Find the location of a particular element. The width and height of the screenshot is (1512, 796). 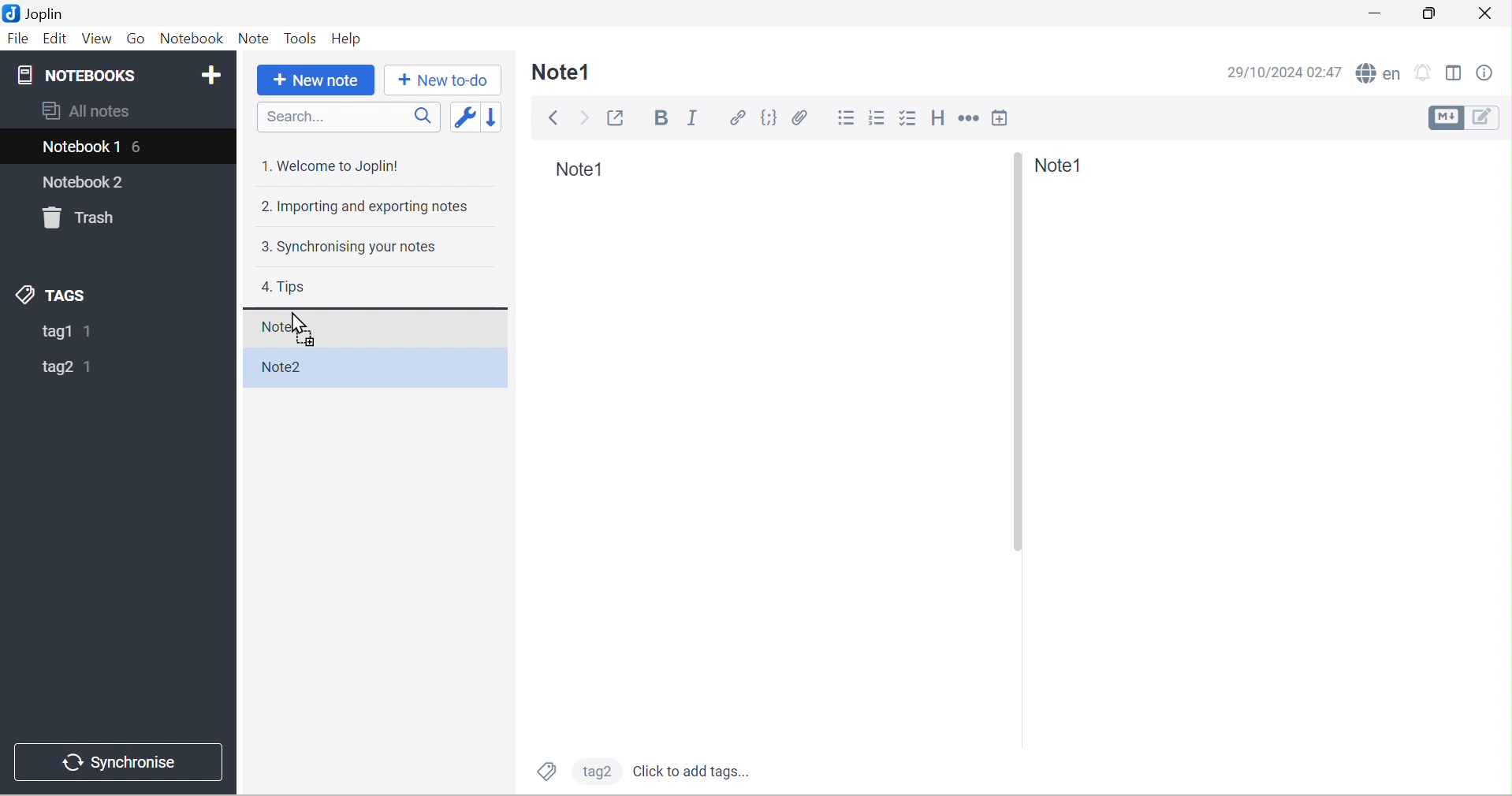

Search... is located at coordinates (298, 118).